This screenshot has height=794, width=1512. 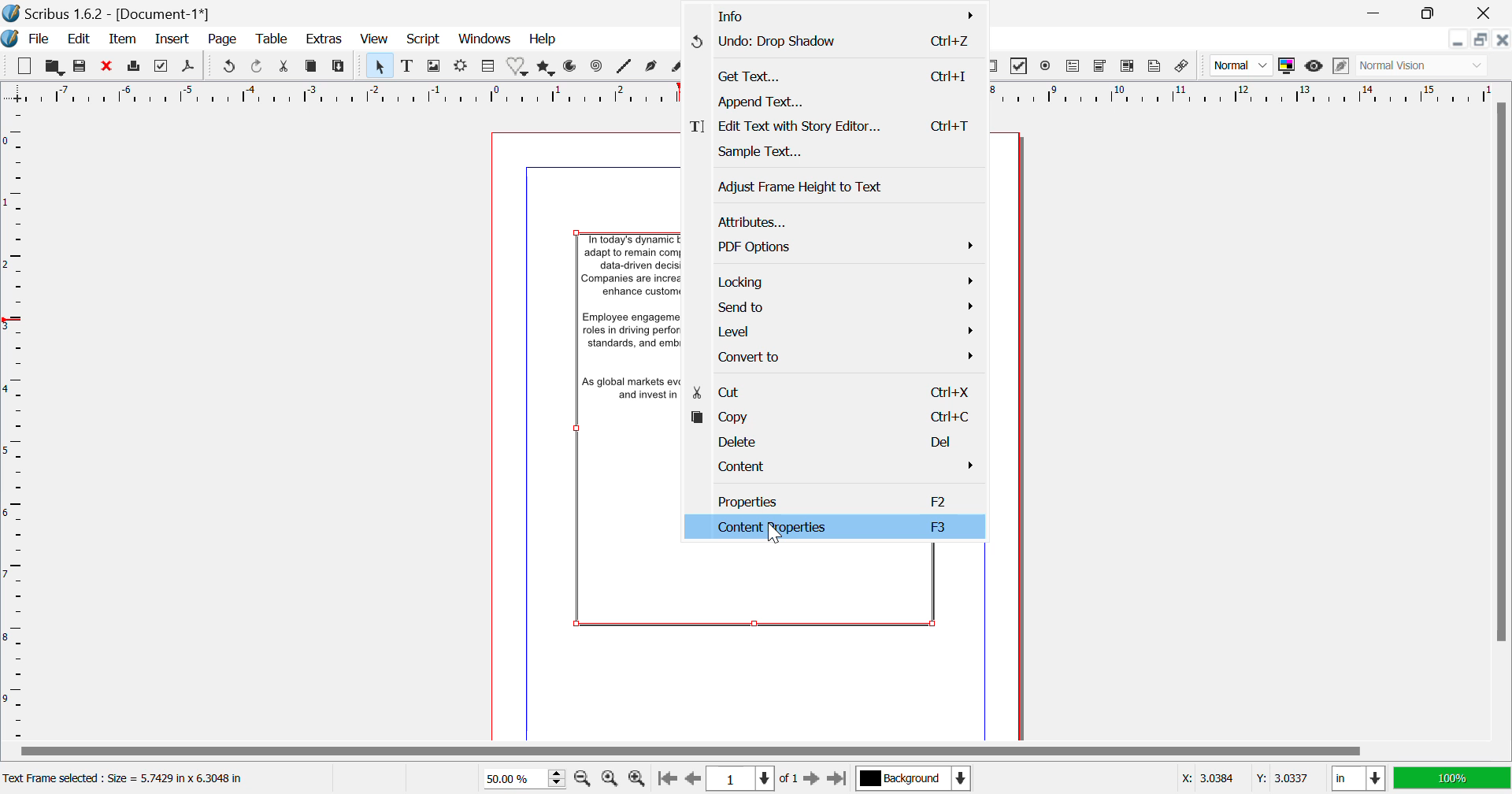 What do you see at coordinates (136, 67) in the screenshot?
I see `Print` at bounding box center [136, 67].